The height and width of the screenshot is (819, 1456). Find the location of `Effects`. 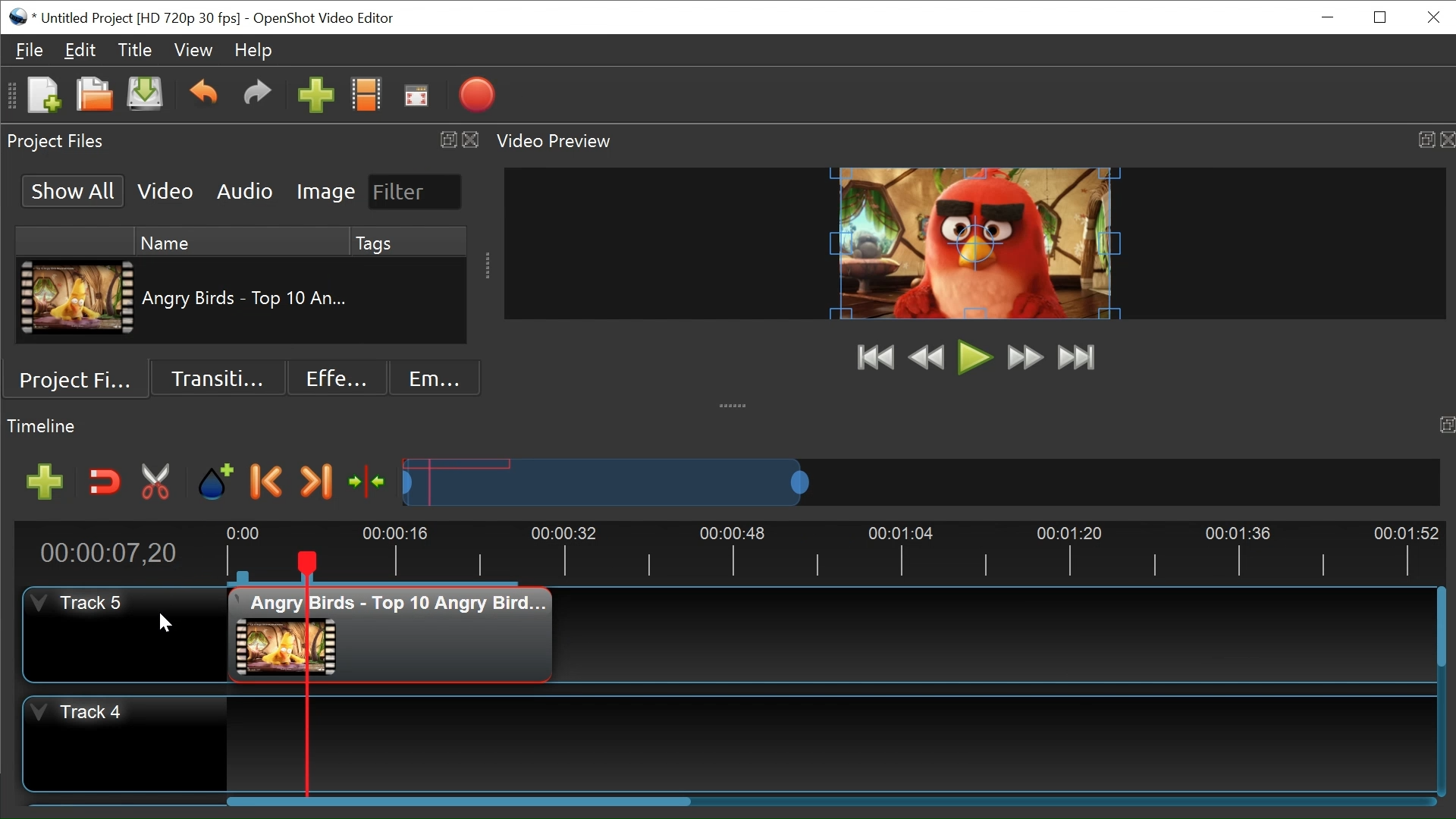

Effects is located at coordinates (331, 378).